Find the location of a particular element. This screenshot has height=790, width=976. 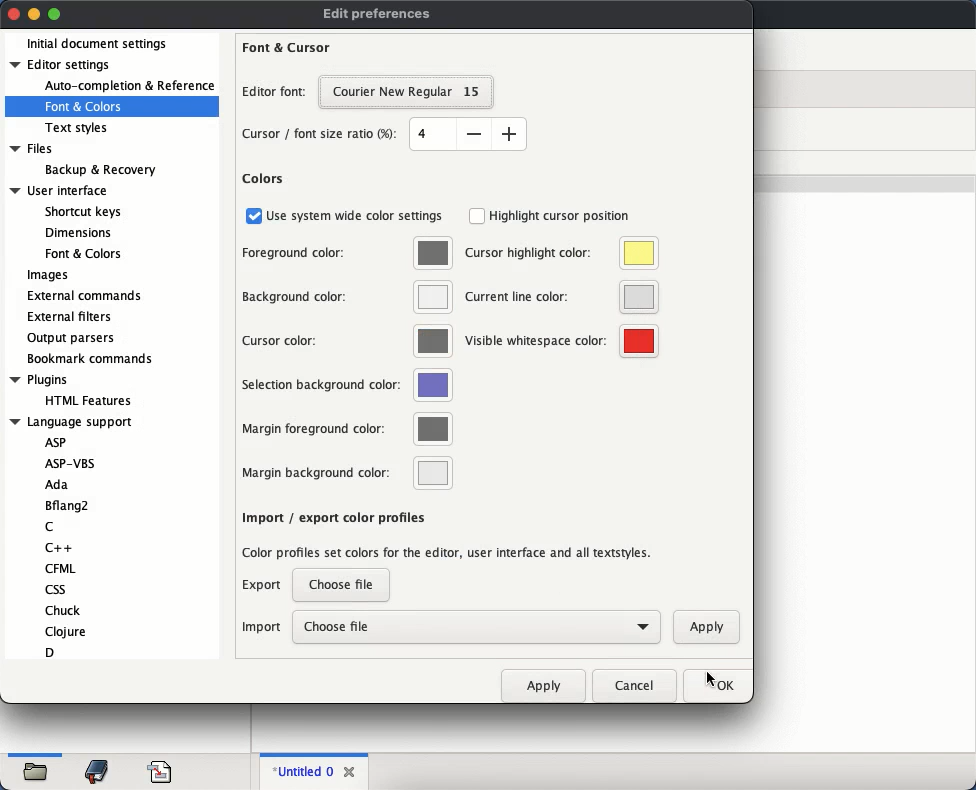

untitled is located at coordinates (300, 772).